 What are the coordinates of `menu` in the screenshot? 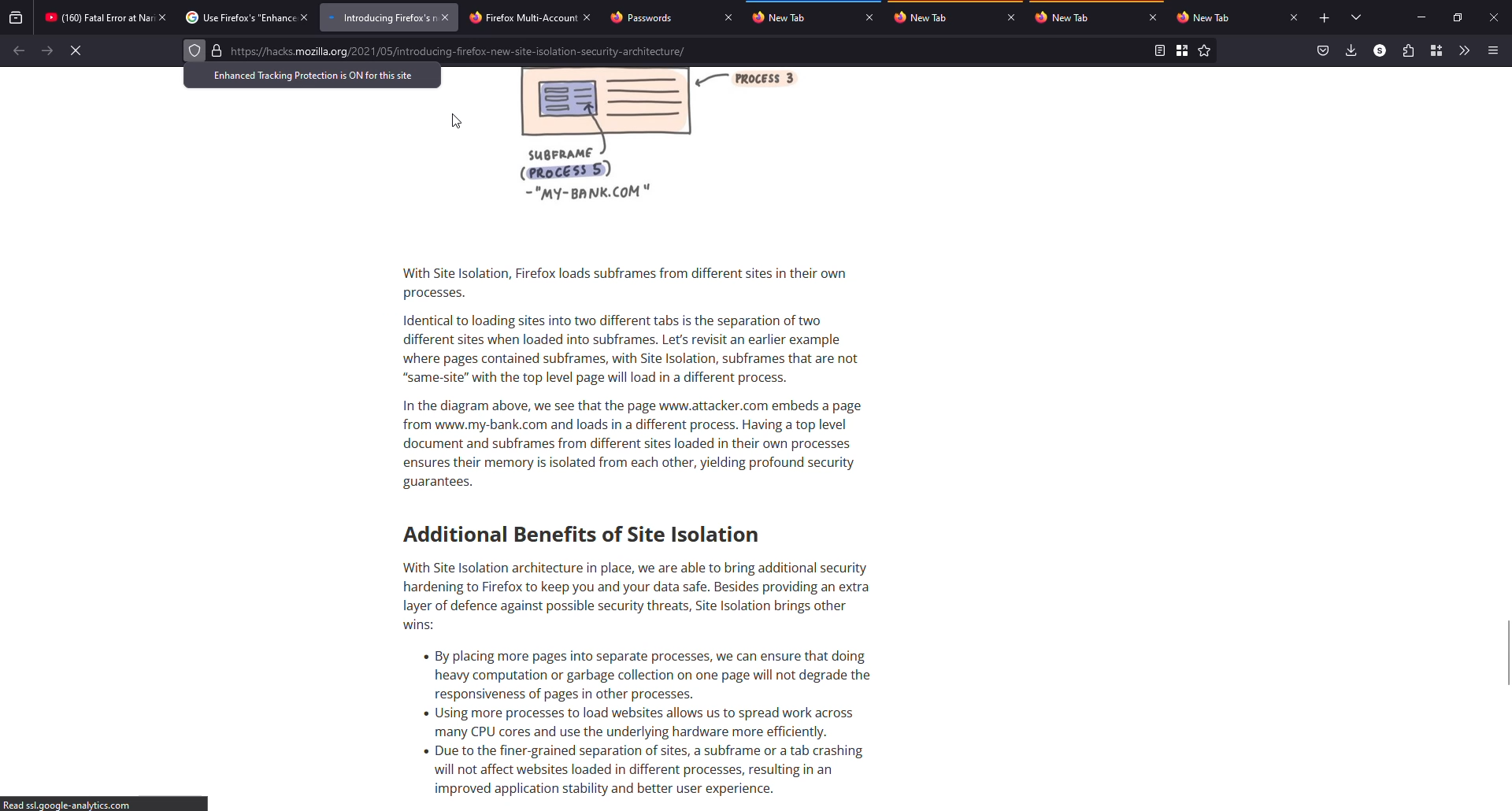 It's located at (1494, 50).